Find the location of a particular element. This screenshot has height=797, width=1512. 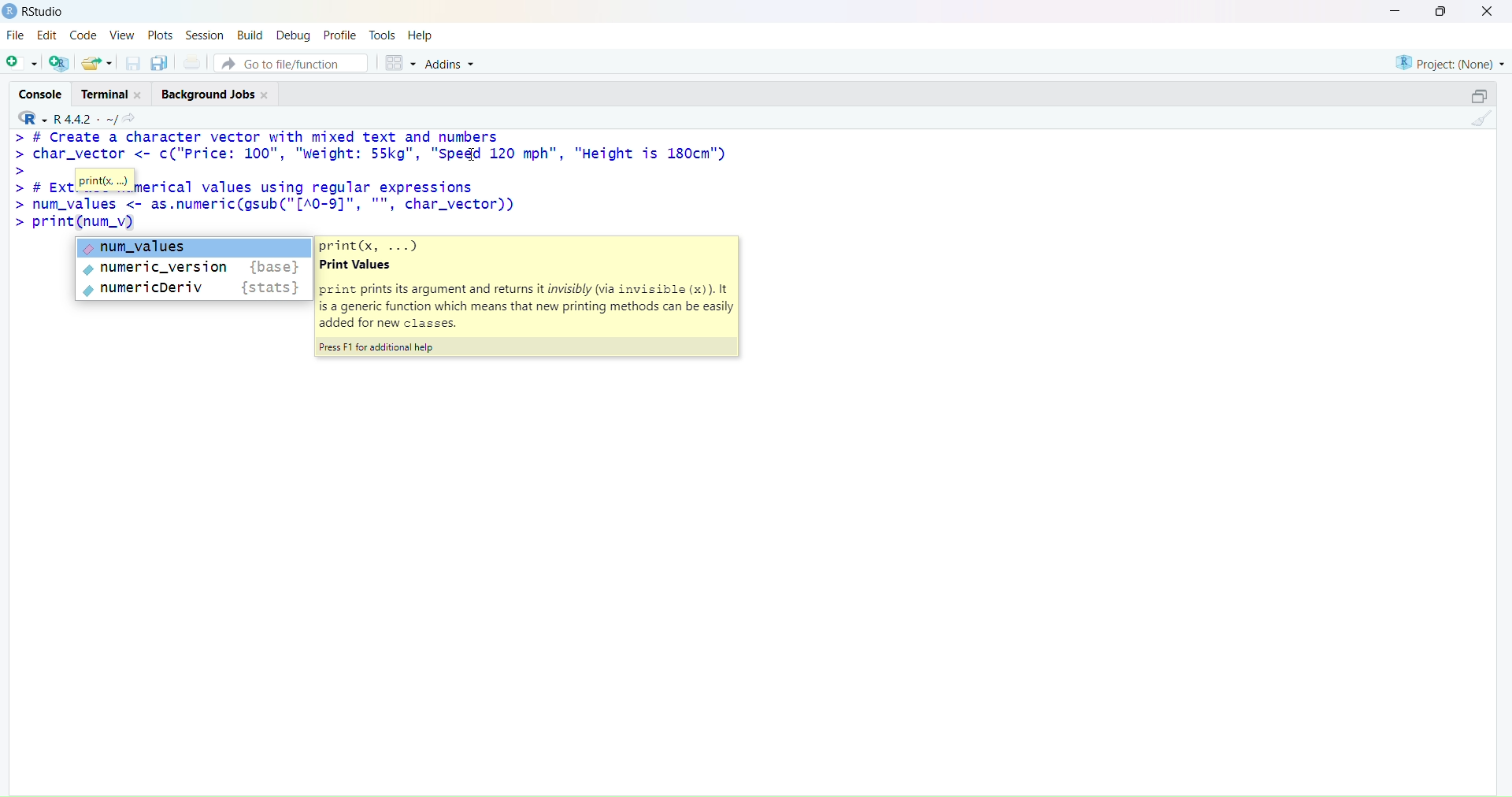

background jobs is located at coordinates (208, 95).